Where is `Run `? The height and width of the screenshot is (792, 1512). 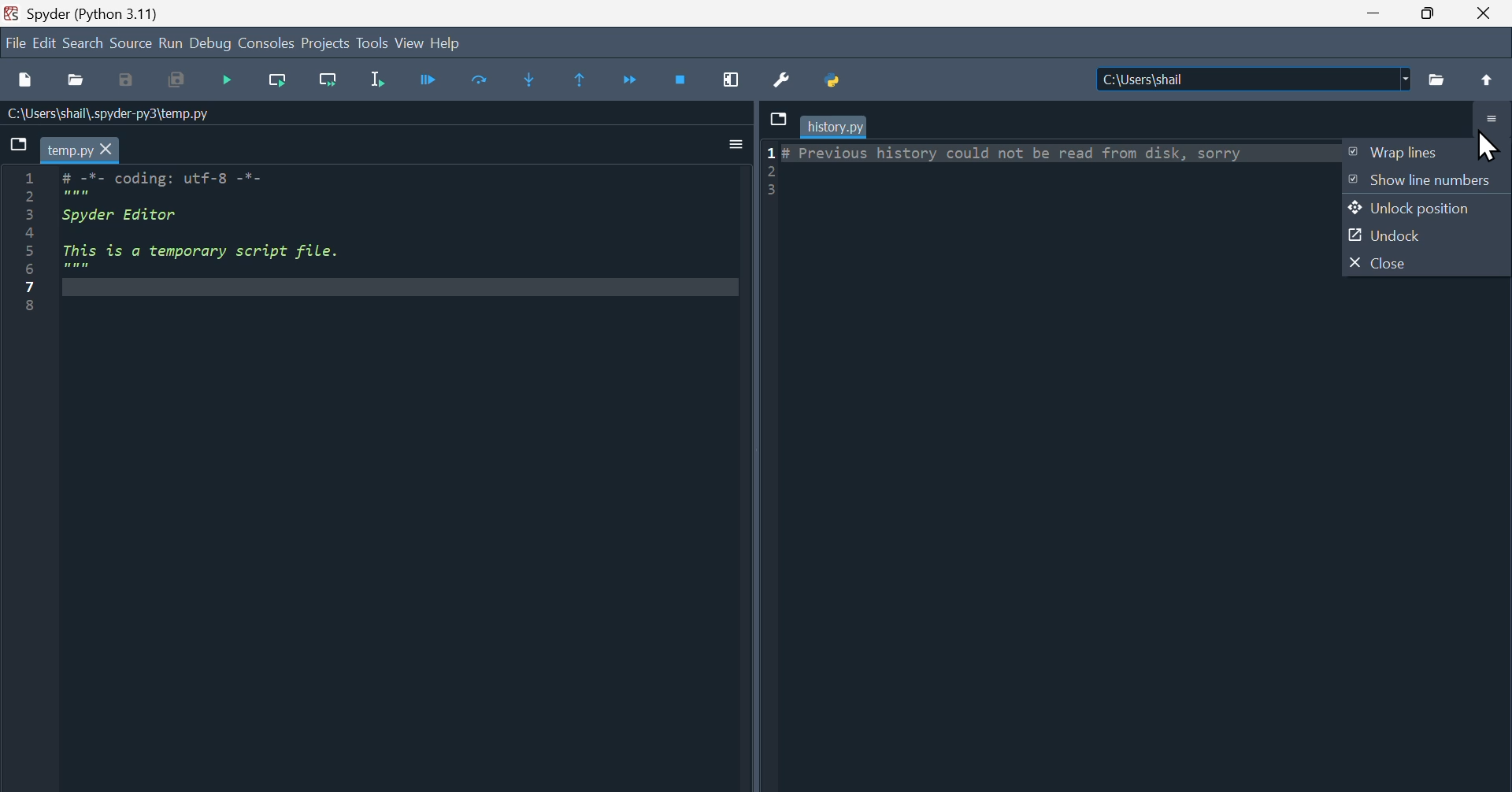 Run  is located at coordinates (232, 81).